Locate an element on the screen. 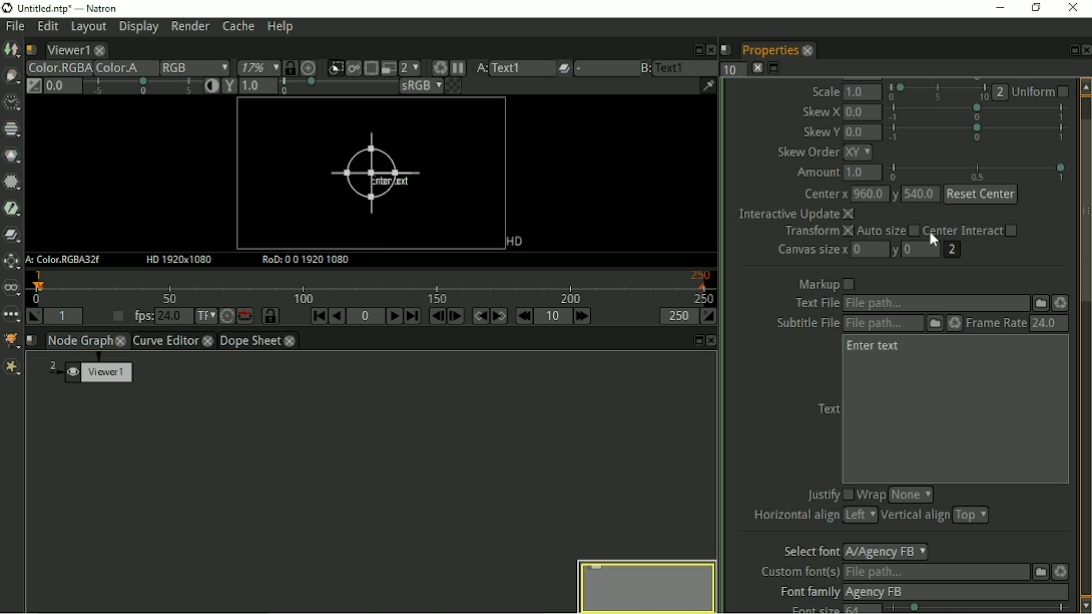  y is located at coordinates (894, 196).